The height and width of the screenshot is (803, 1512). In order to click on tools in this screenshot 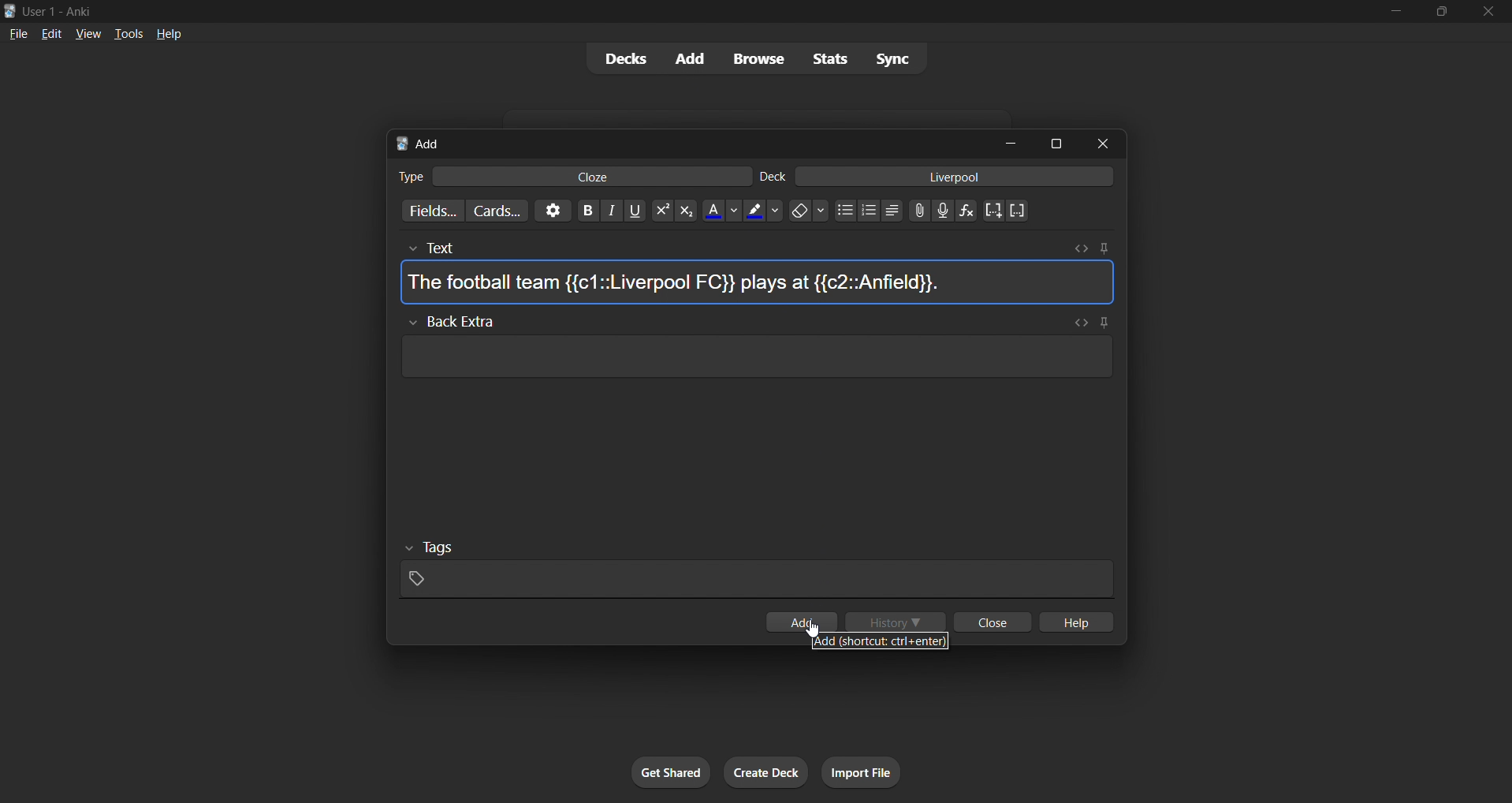, I will do `click(127, 35)`.